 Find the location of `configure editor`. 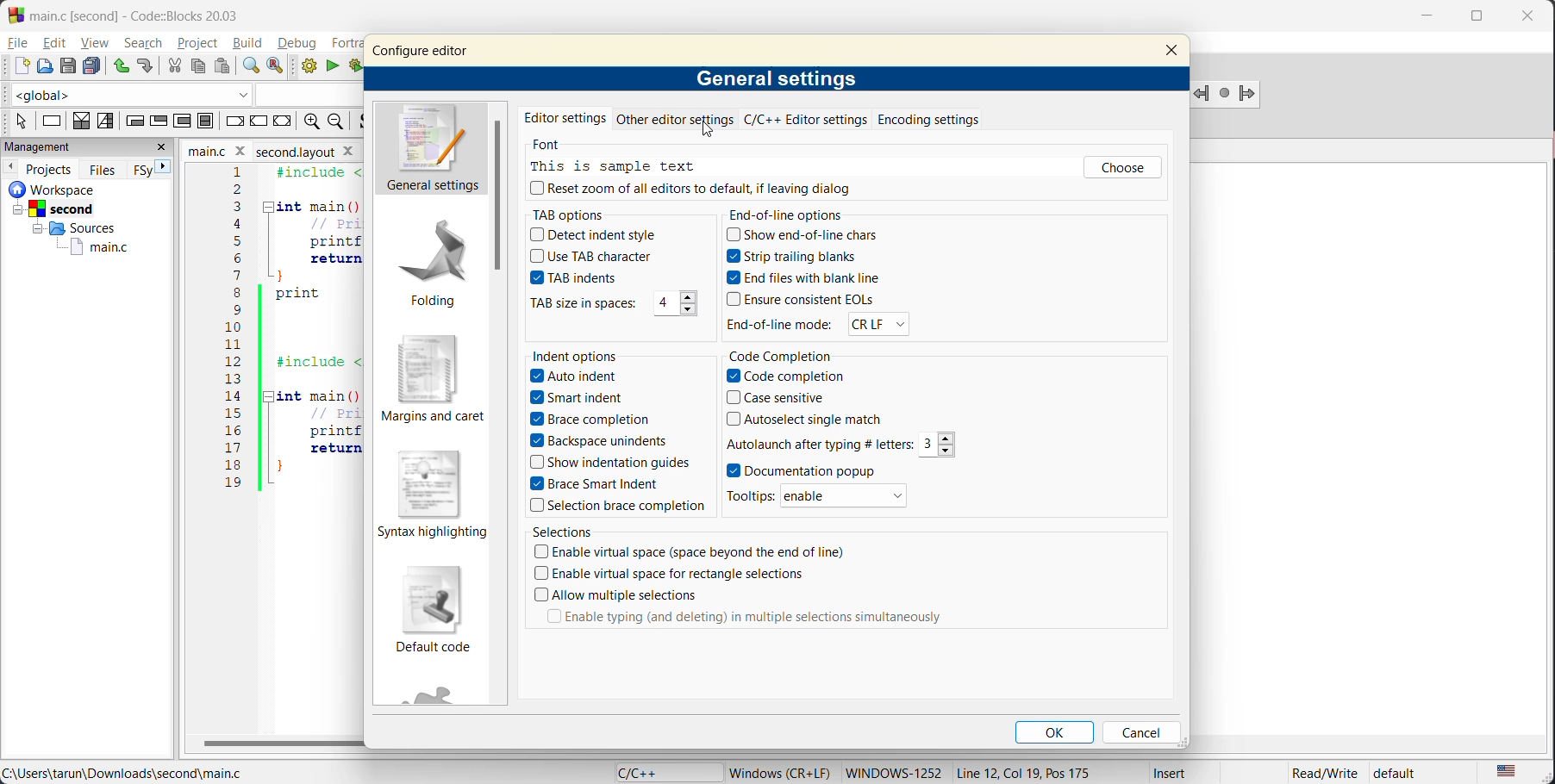

configure editor is located at coordinates (420, 52).